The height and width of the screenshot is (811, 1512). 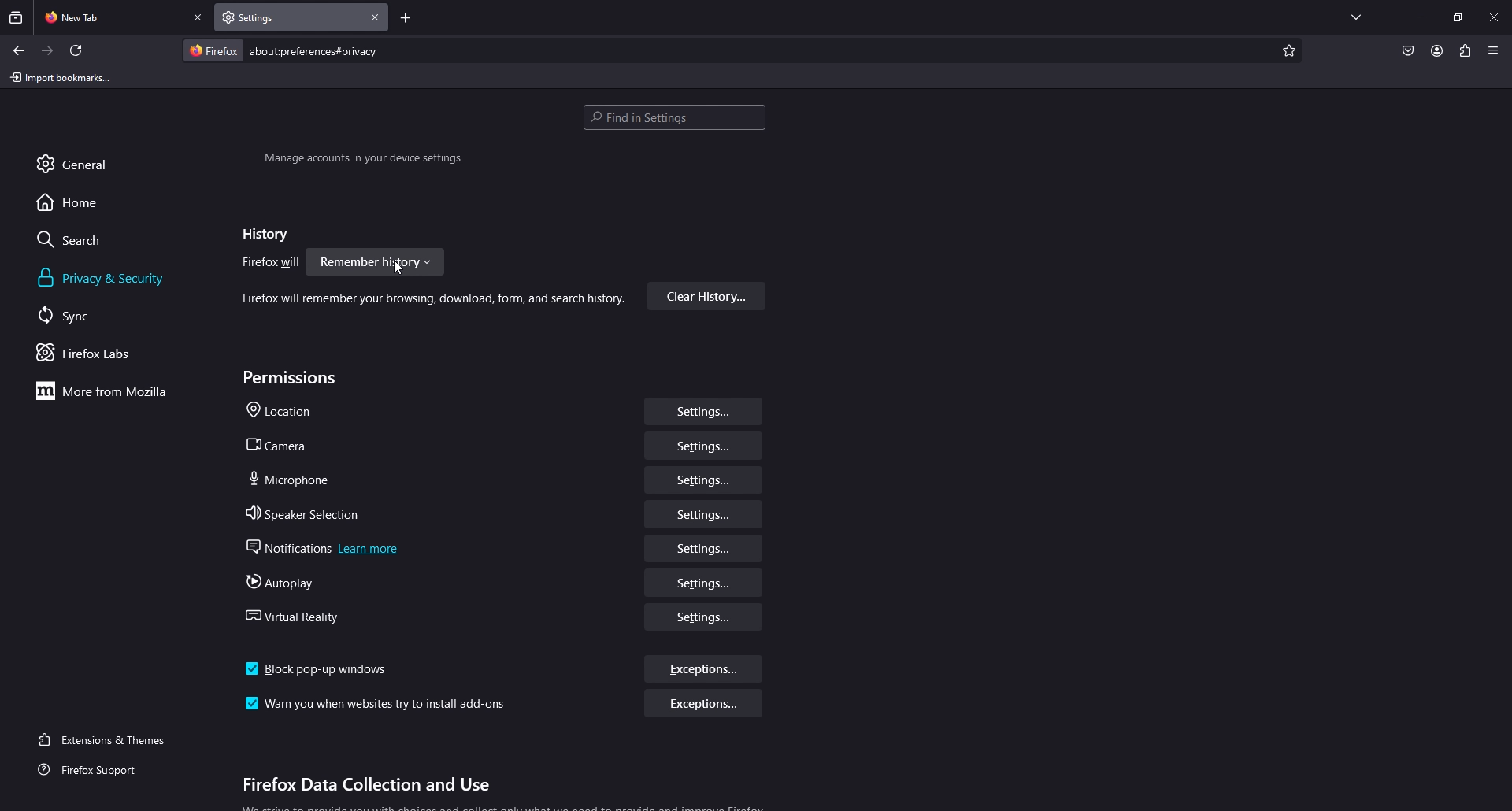 I want to click on settings, so click(x=701, y=583).